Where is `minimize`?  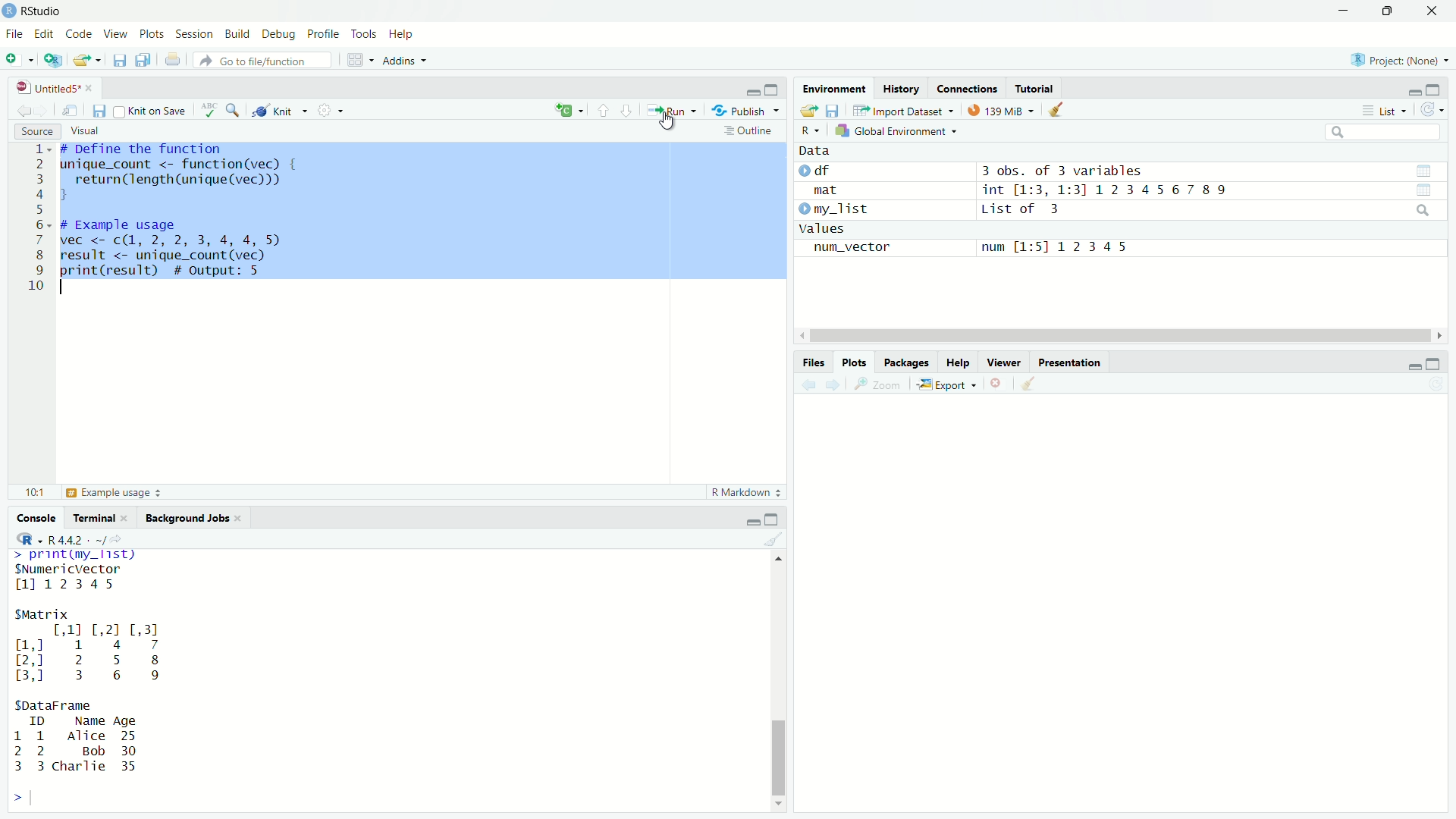 minimize is located at coordinates (750, 92).